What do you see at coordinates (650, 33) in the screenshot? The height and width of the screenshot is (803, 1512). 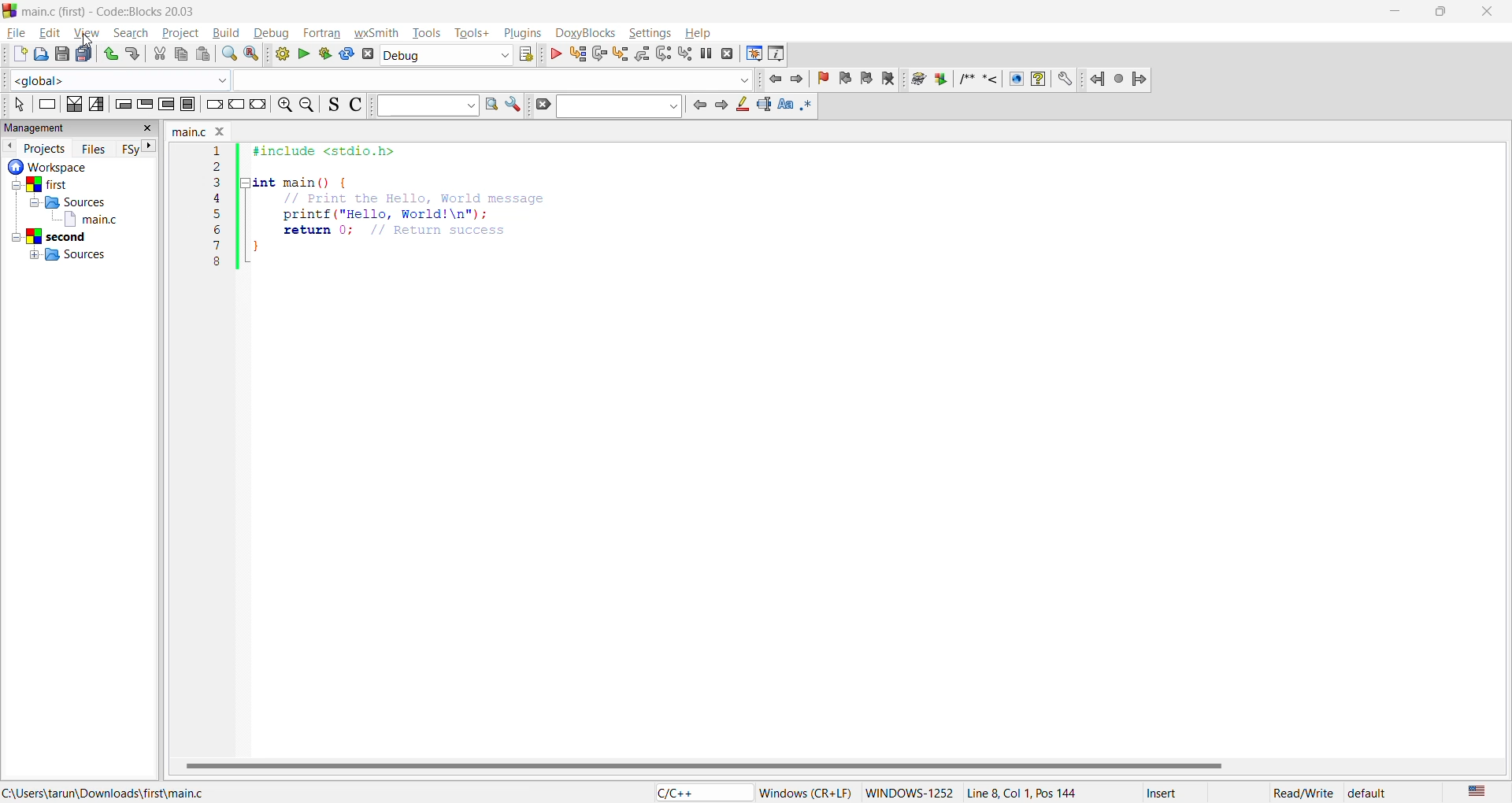 I see `settings` at bounding box center [650, 33].